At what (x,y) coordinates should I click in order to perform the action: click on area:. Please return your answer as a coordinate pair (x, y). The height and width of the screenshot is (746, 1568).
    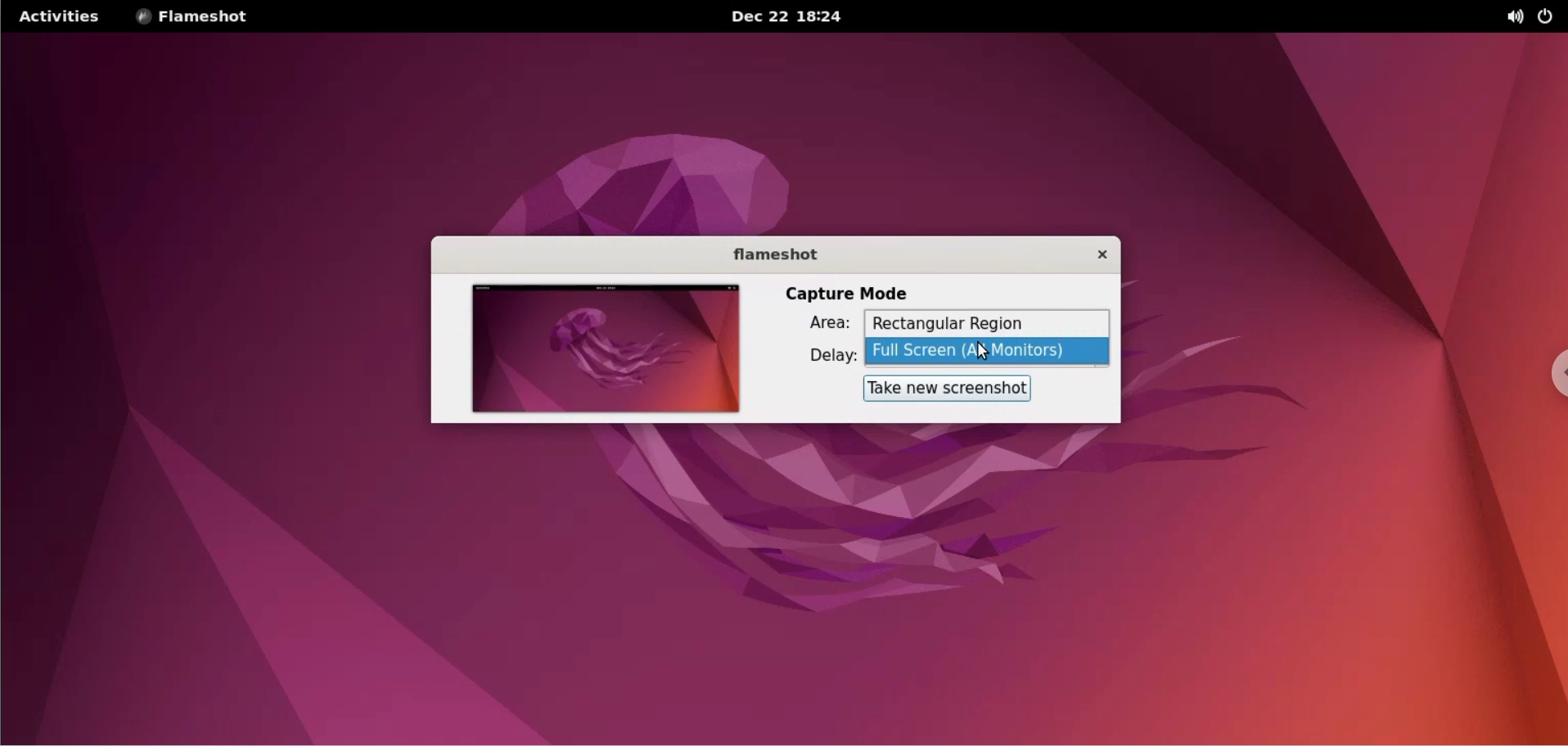
    Looking at the image, I should click on (820, 323).